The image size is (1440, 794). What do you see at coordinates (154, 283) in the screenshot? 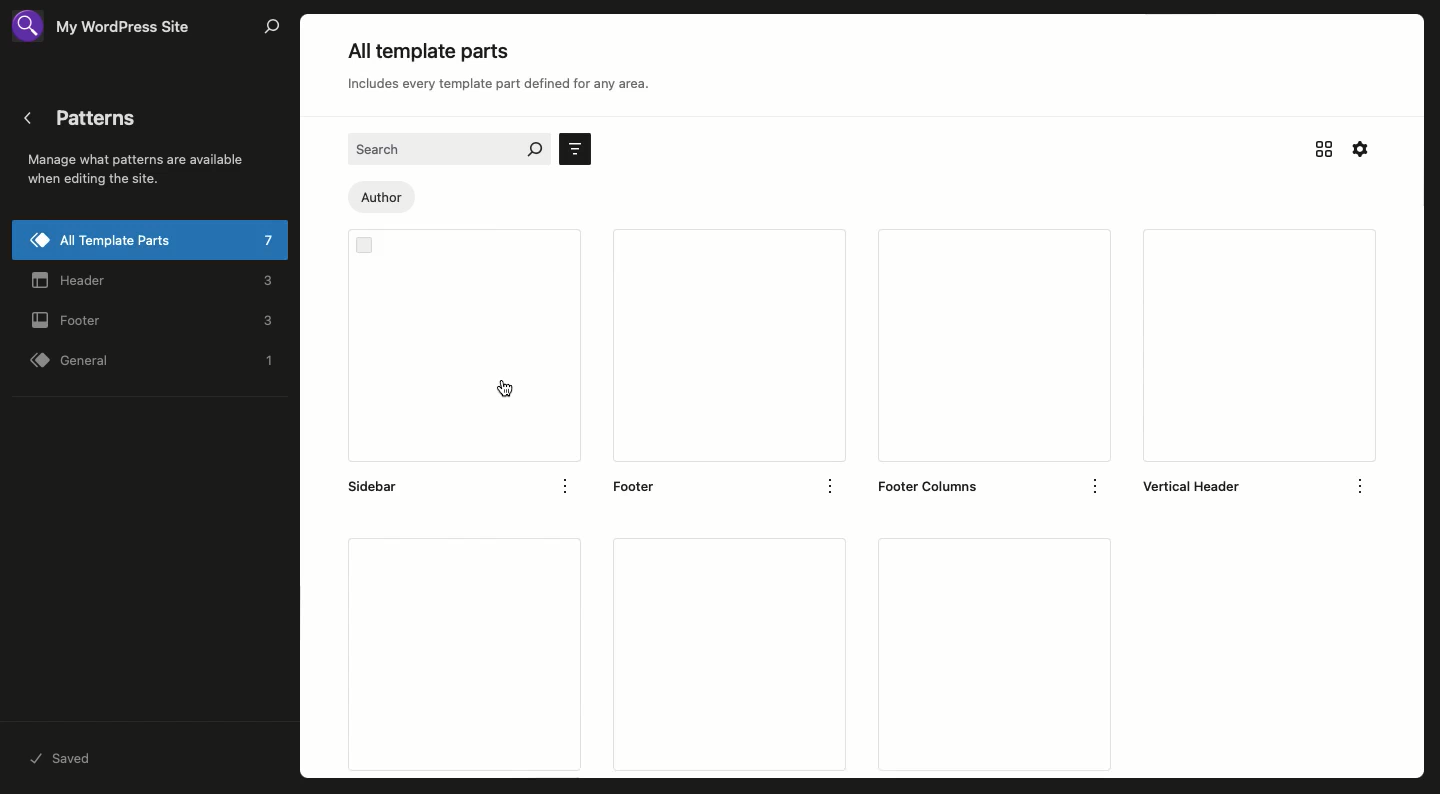
I see `Header` at bounding box center [154, 283].